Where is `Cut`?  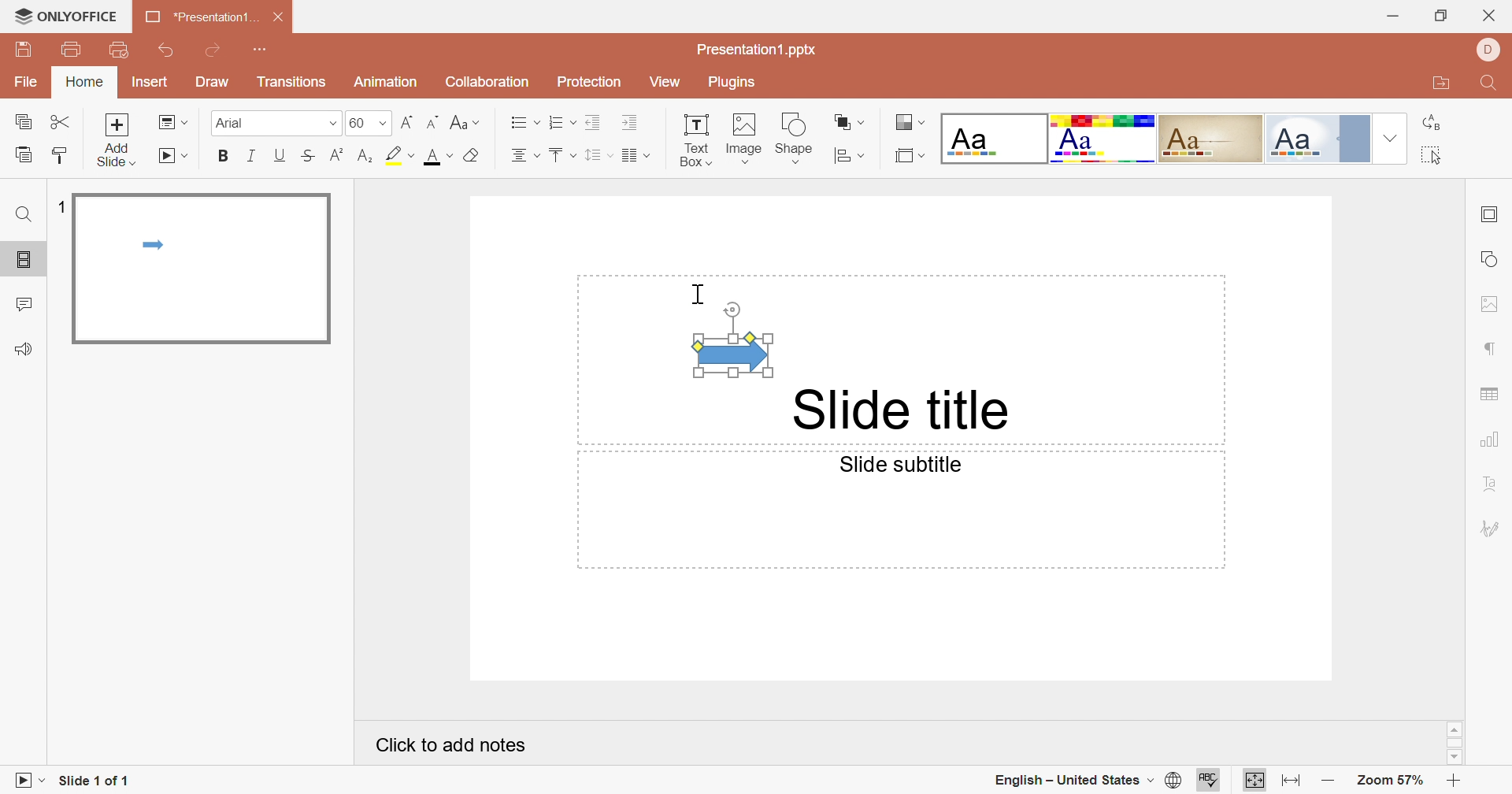 Cut is located at coordinates (61, 123).